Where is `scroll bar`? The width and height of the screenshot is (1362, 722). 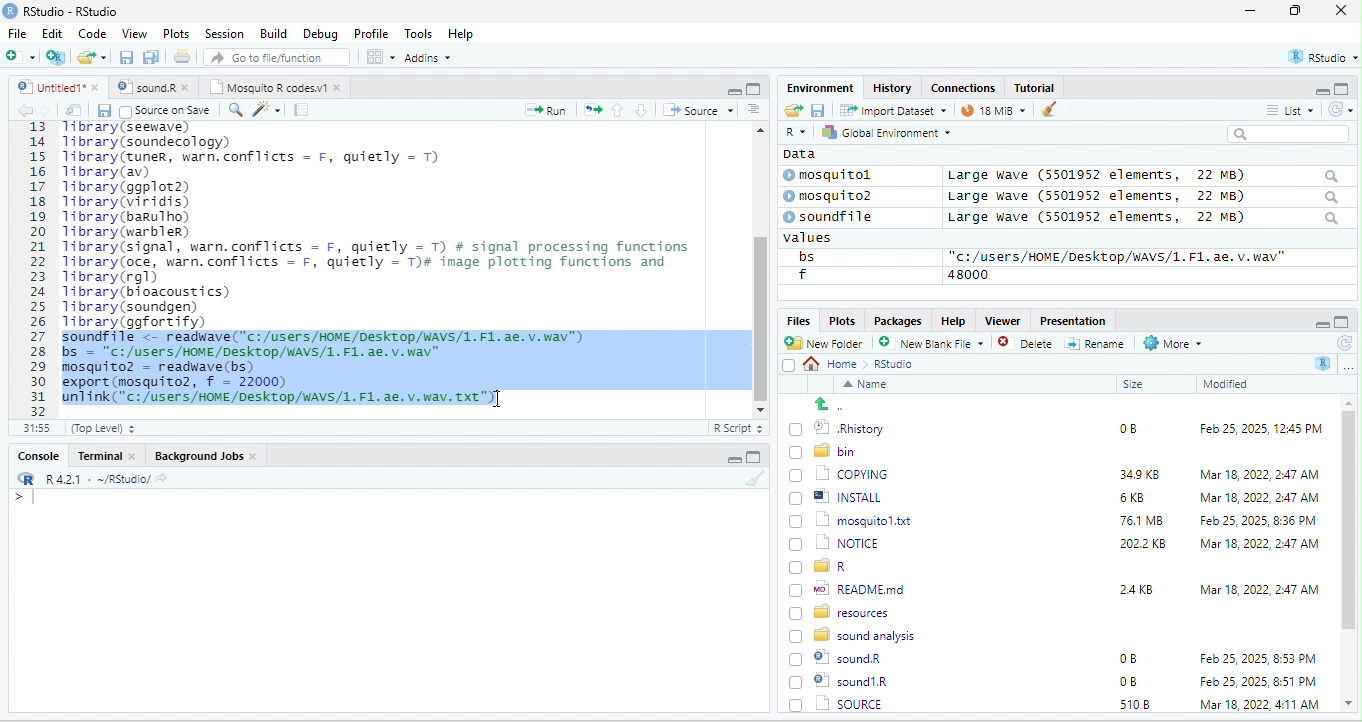
scroll bar is located at coordinates (759, 267).